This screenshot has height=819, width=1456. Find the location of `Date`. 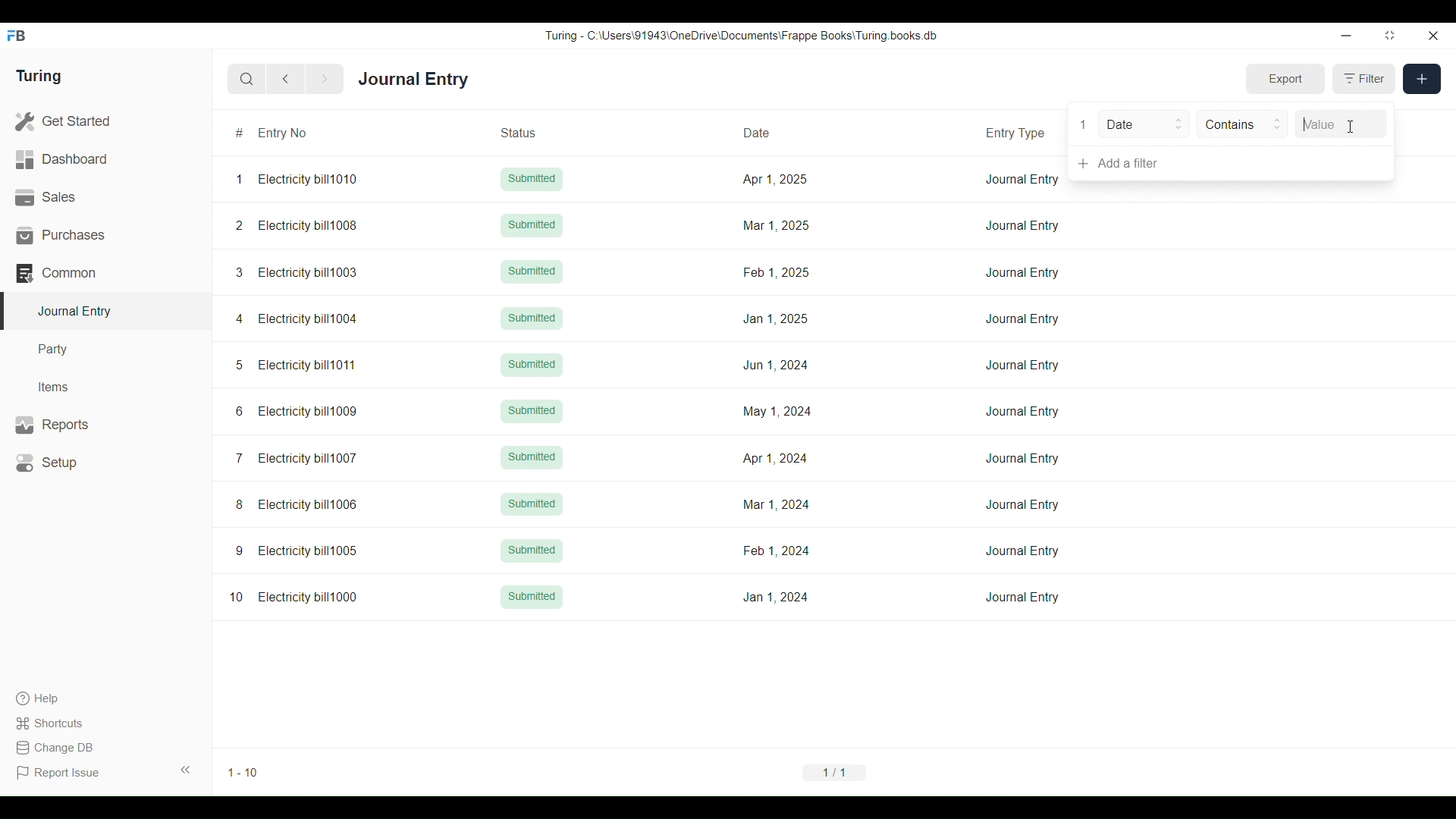

Date is located at coordinates (1144, 124).